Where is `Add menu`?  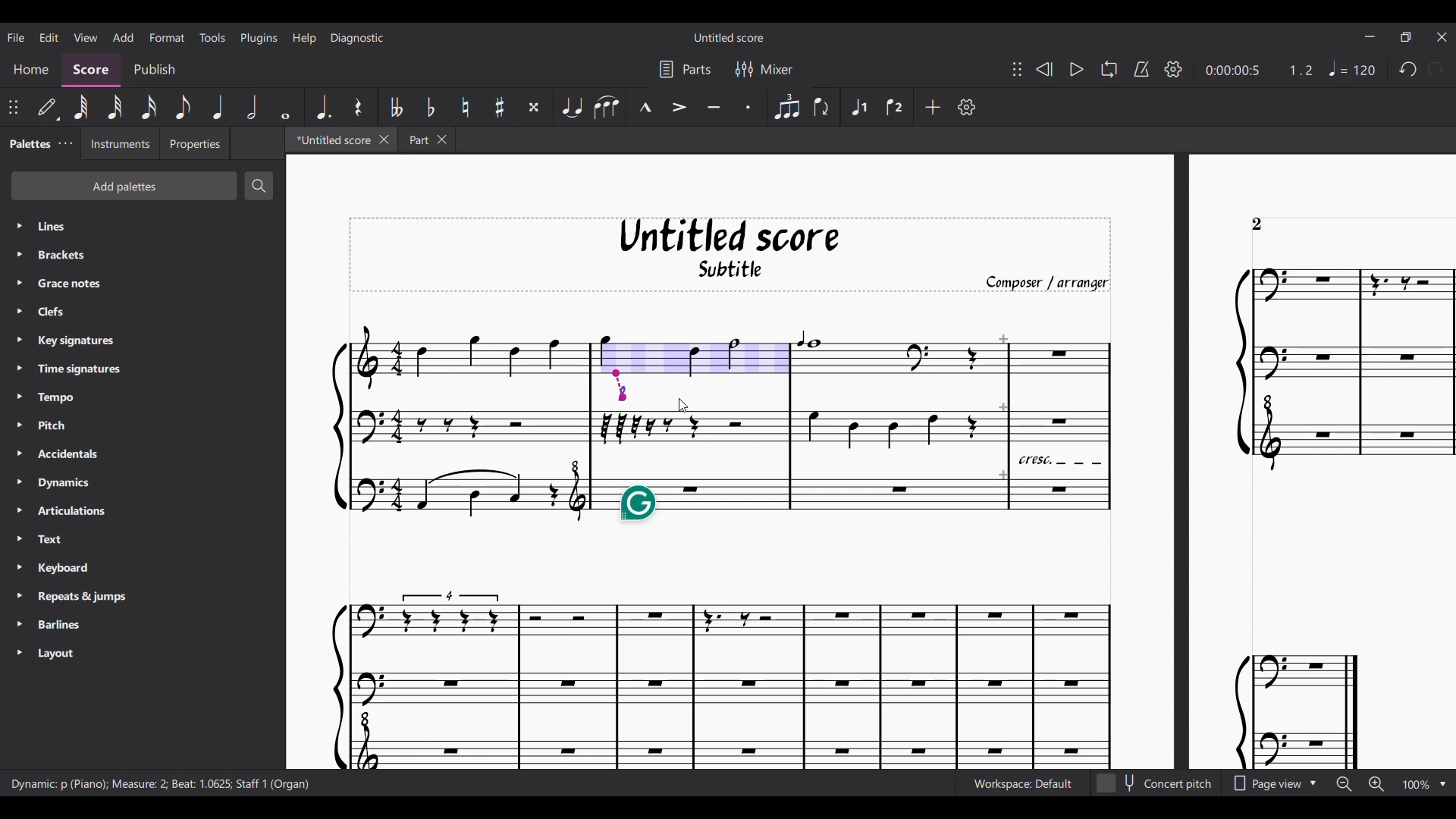
Add menu is located at coordinates (123, 37).